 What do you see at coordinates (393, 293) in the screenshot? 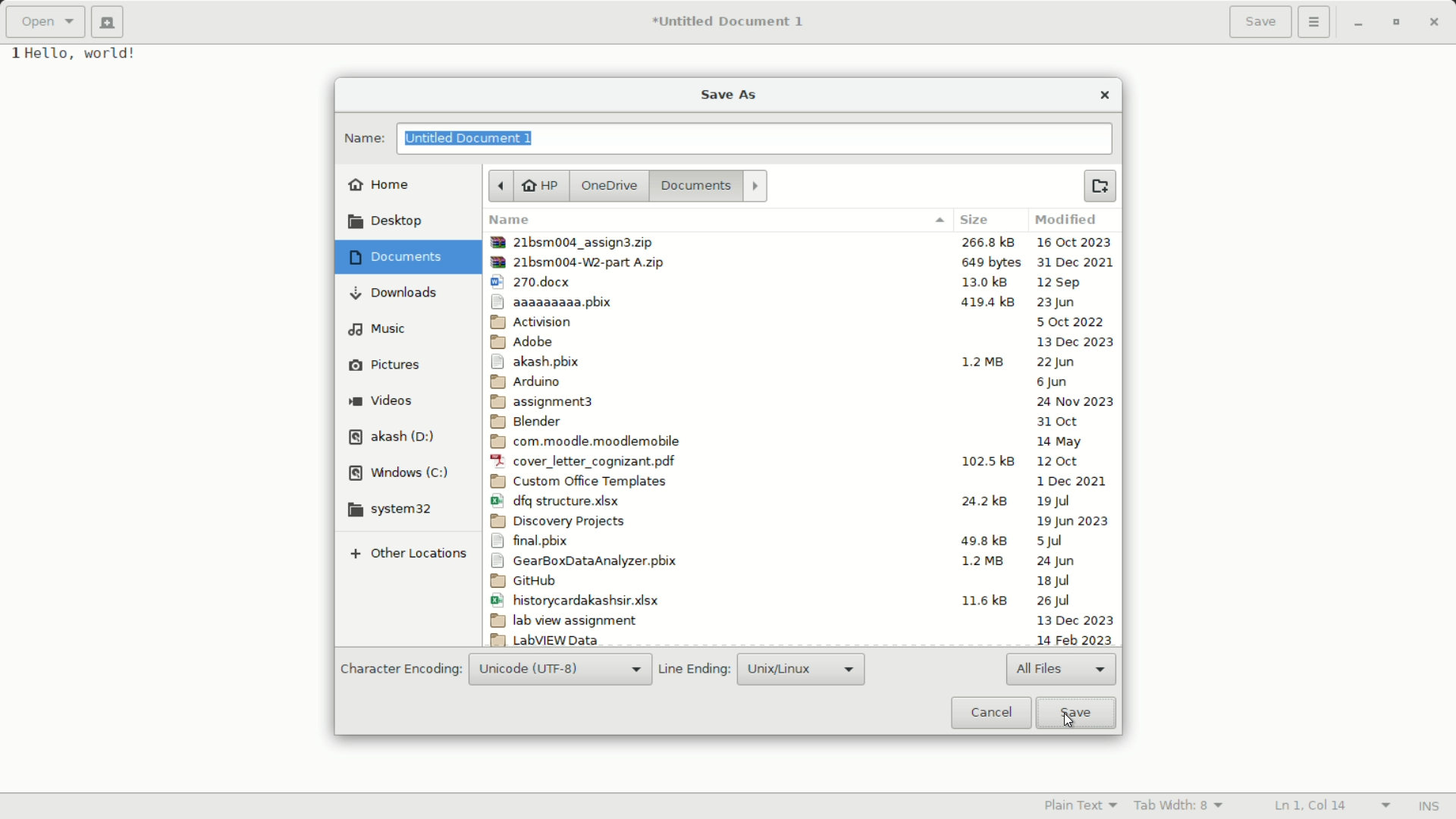
I see `downloads` at bounding box center [393, 293].